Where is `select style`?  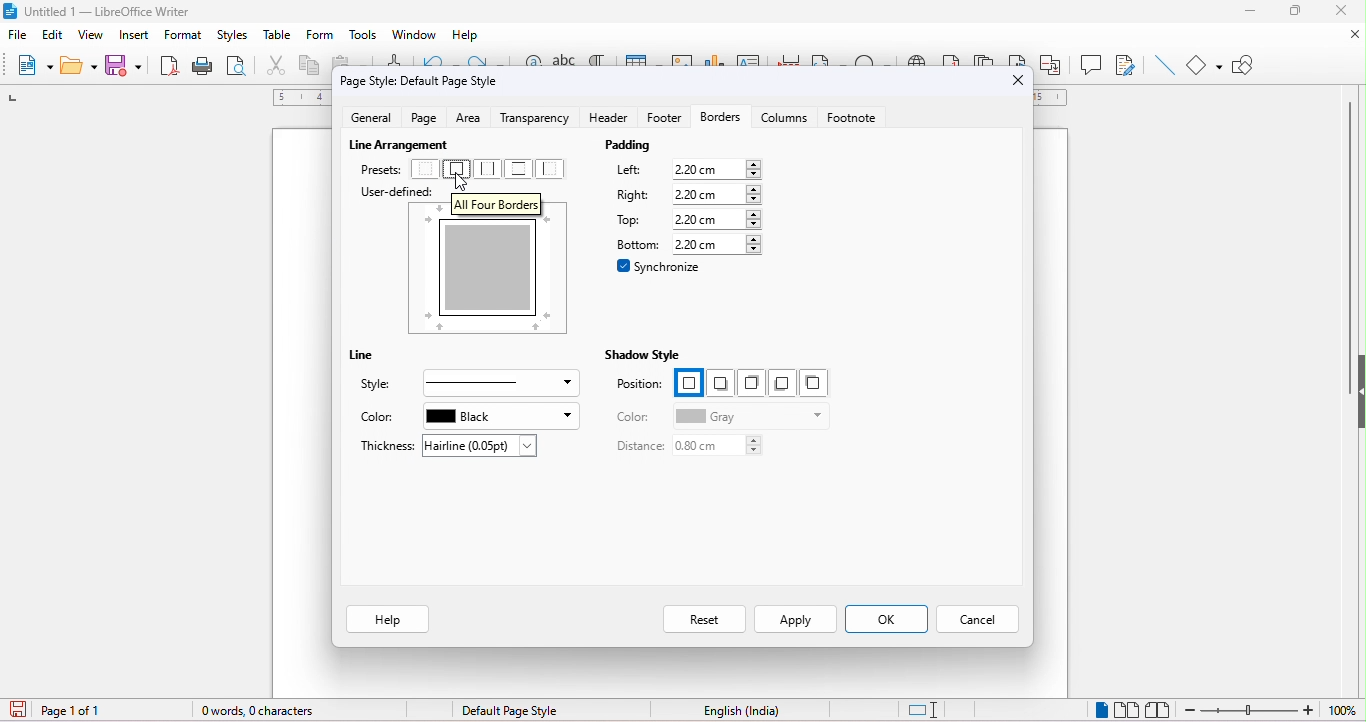 select style is located at coordinates (496, 383).